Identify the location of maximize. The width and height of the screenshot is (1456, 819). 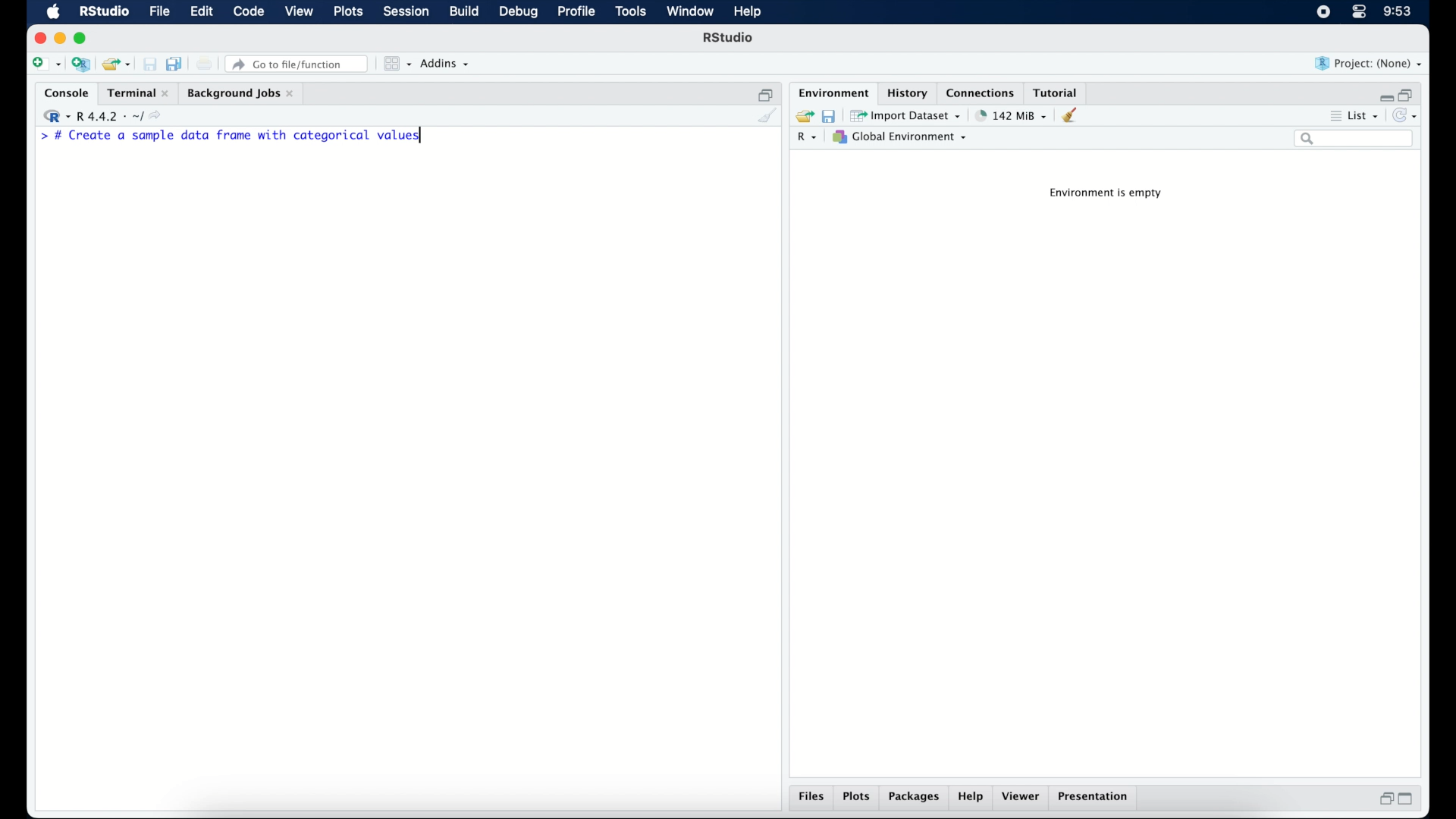
(1407, 801).